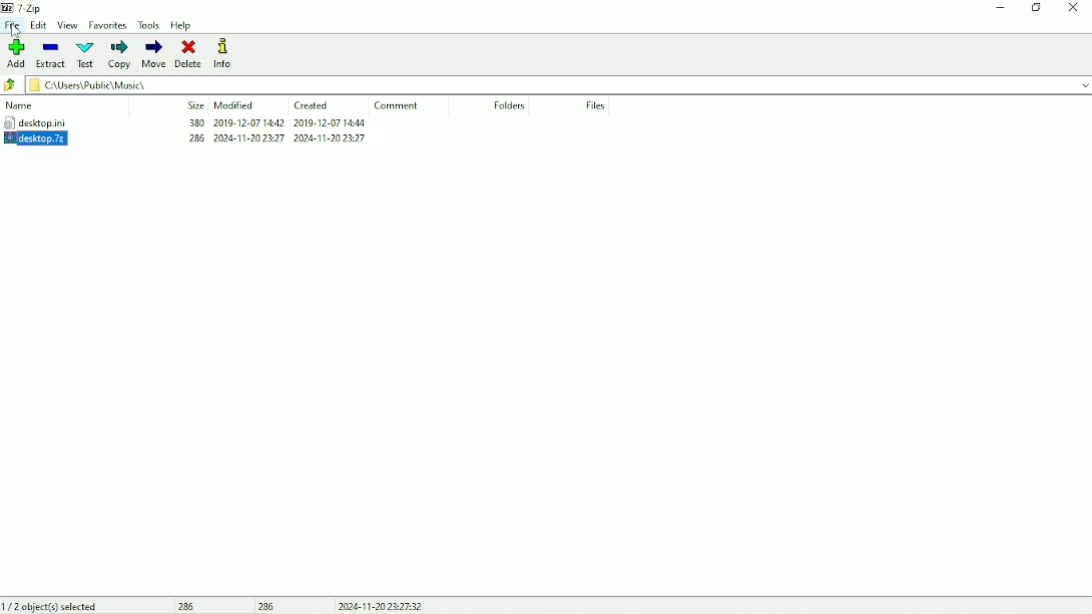 This screenshot has width=1092, height=614. What do you see at coordinates (48, 138) in the screenshot?
I see `desktop.7z` at bounding box center [48, 138].